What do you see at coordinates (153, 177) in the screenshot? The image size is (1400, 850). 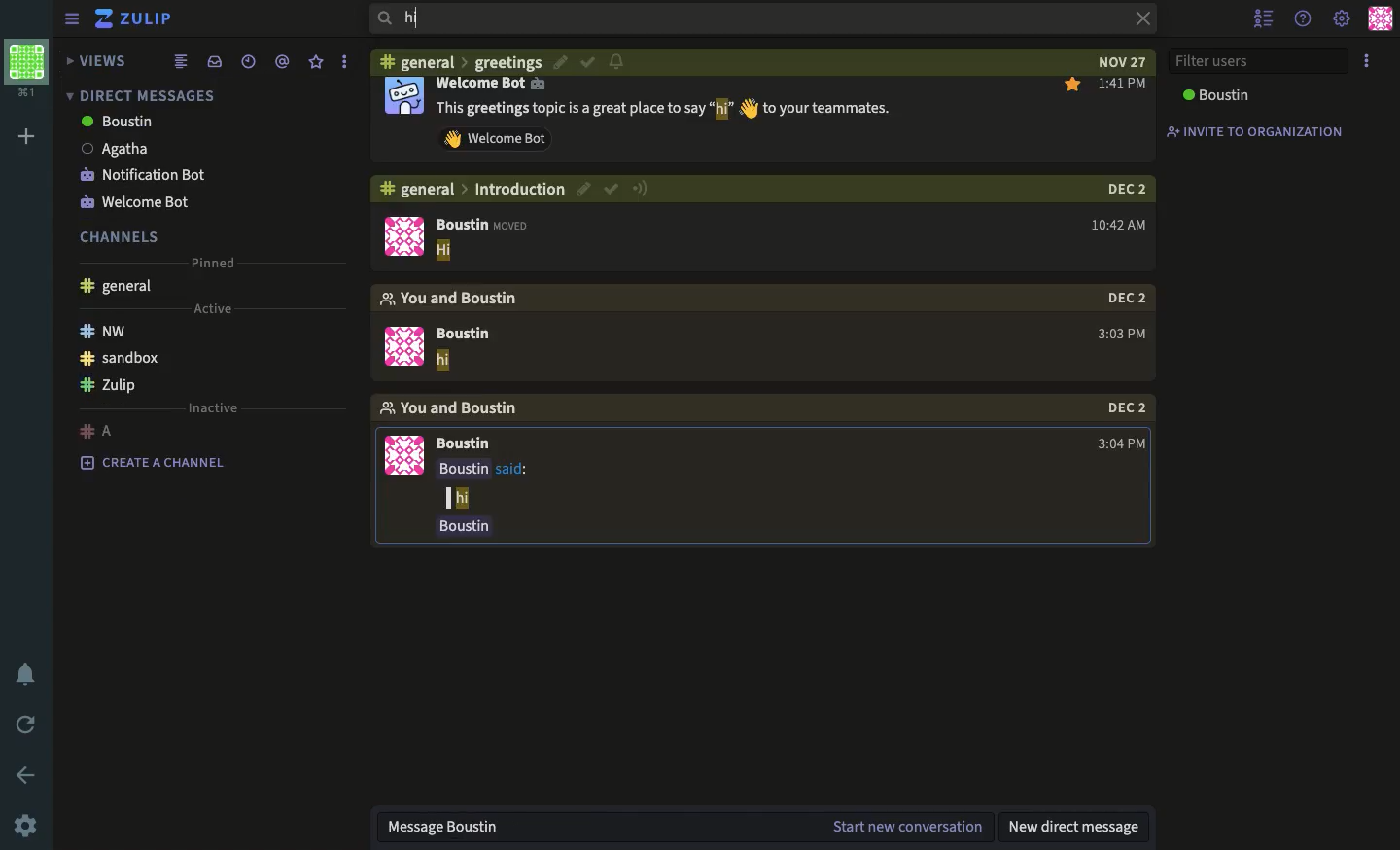 I see `notification bot` at bounding box center [153, 177].